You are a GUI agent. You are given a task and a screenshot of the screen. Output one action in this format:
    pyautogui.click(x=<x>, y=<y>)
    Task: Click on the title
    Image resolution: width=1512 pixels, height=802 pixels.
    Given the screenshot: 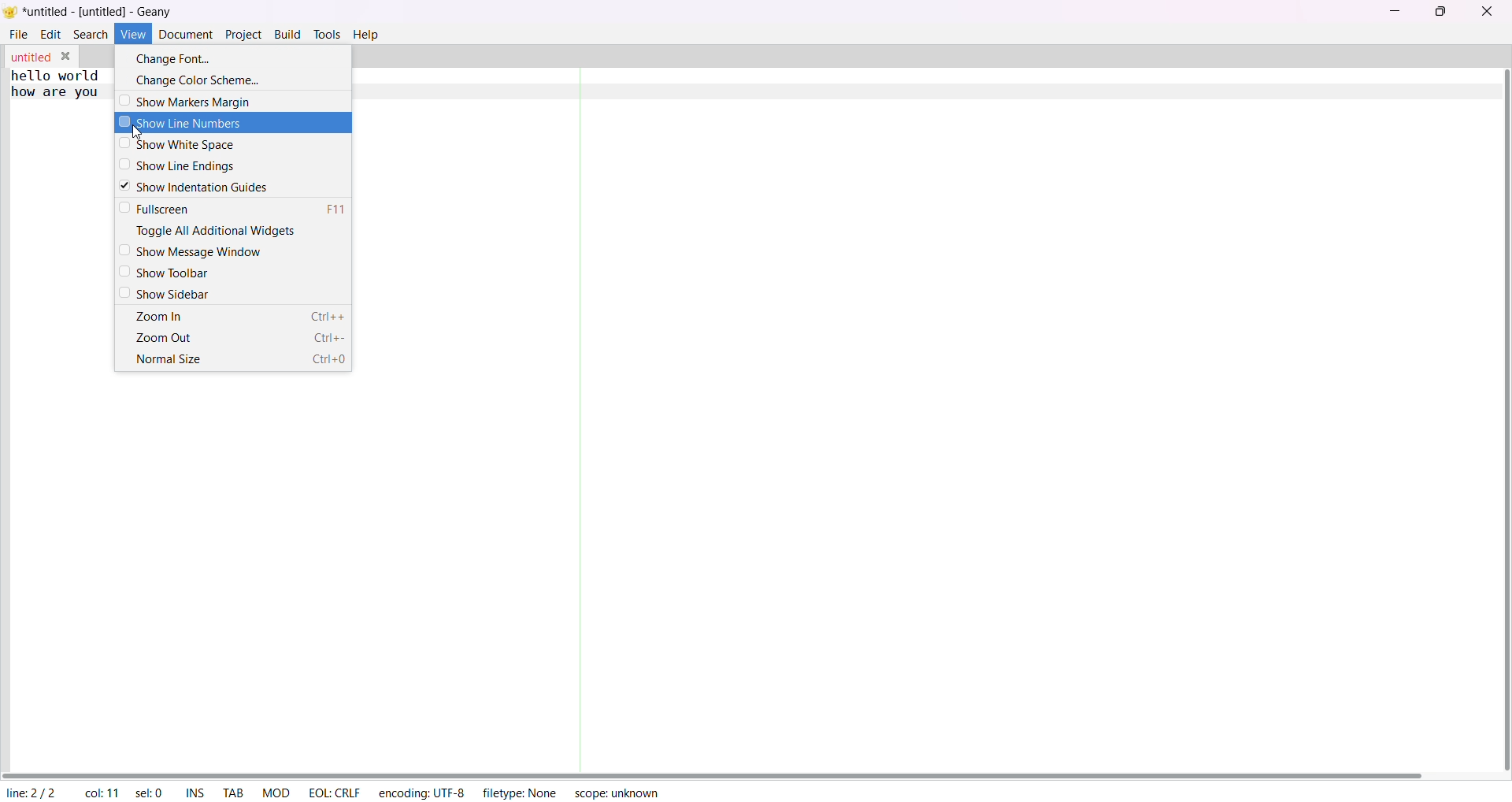 What is the action you would take?
    pyautogui.click(x=99, y=12)
    